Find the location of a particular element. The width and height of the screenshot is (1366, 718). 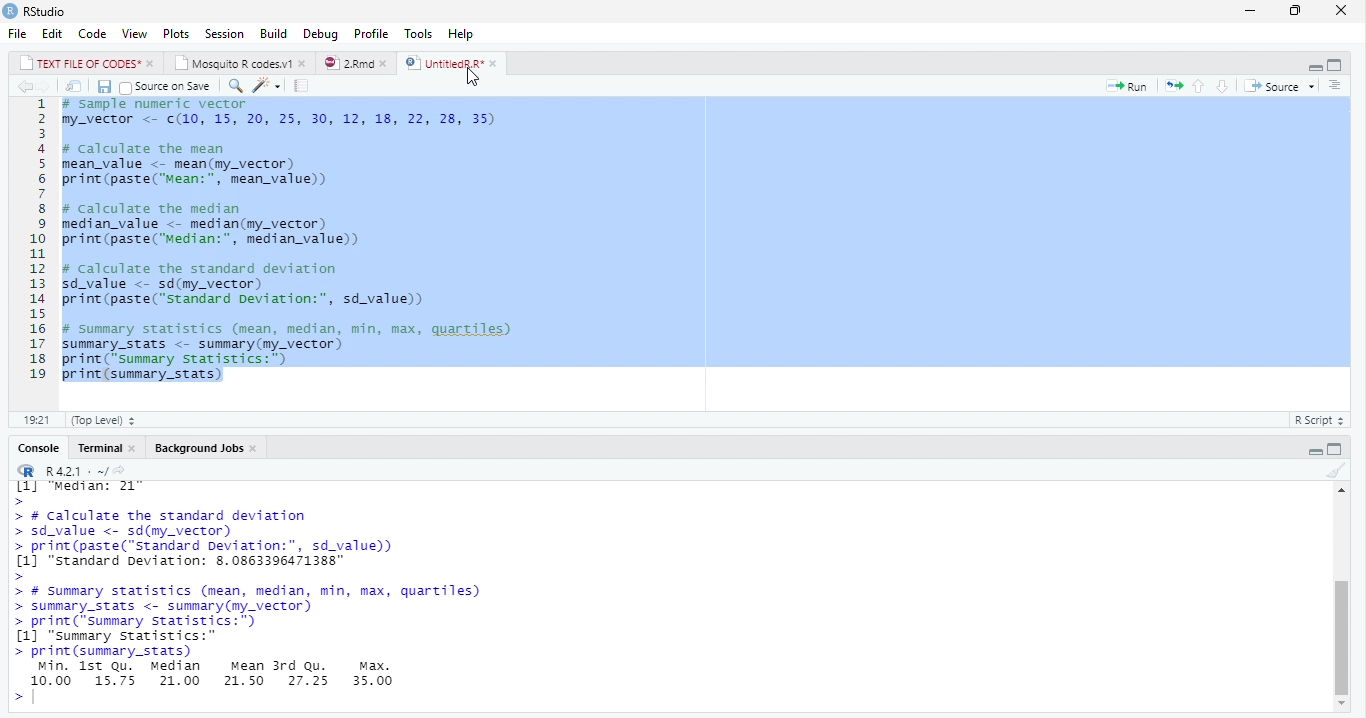

line numbers is located at coordinates (33, 239).